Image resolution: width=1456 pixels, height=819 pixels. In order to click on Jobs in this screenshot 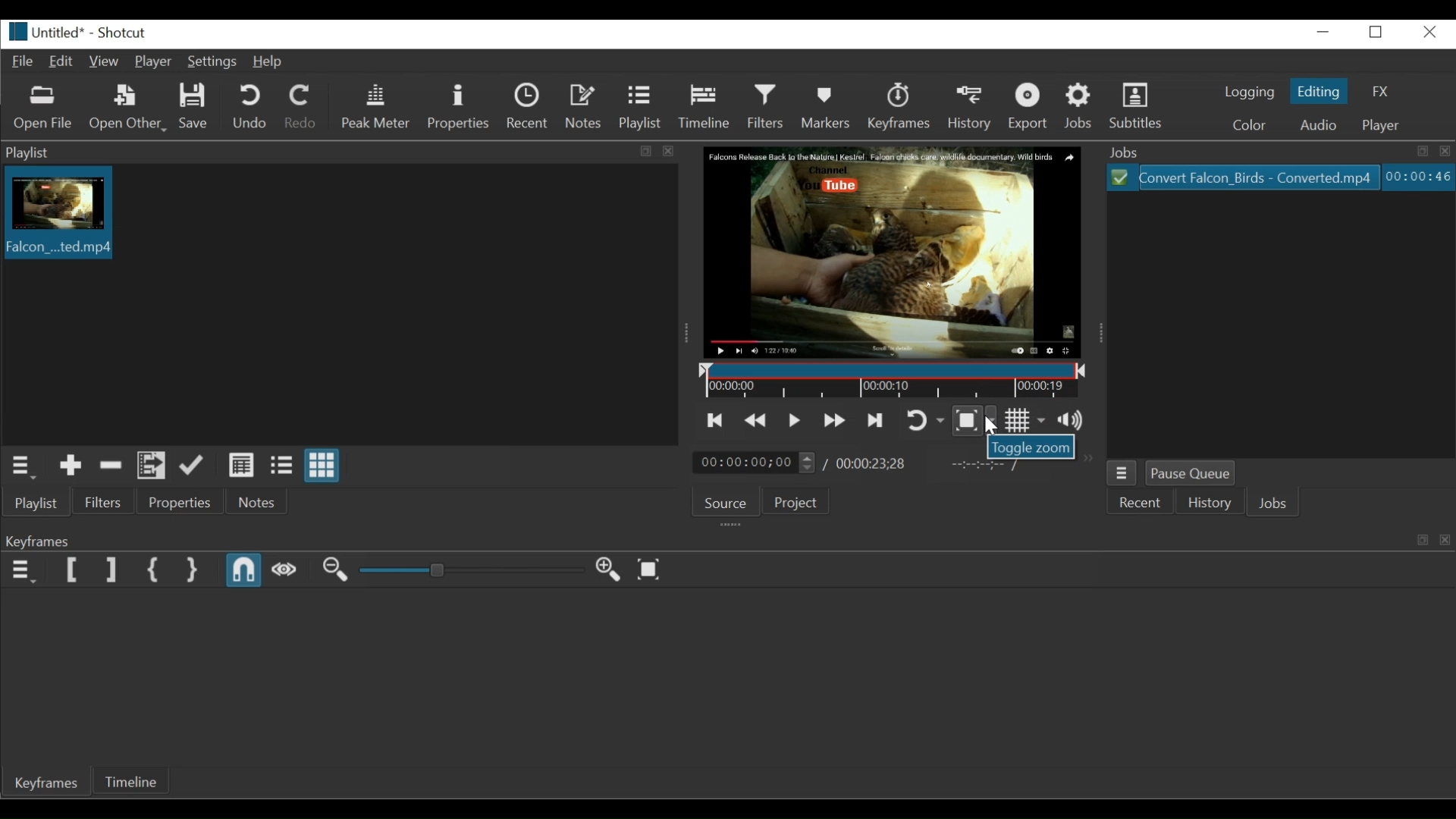, I will do `click(1079, 107)`.